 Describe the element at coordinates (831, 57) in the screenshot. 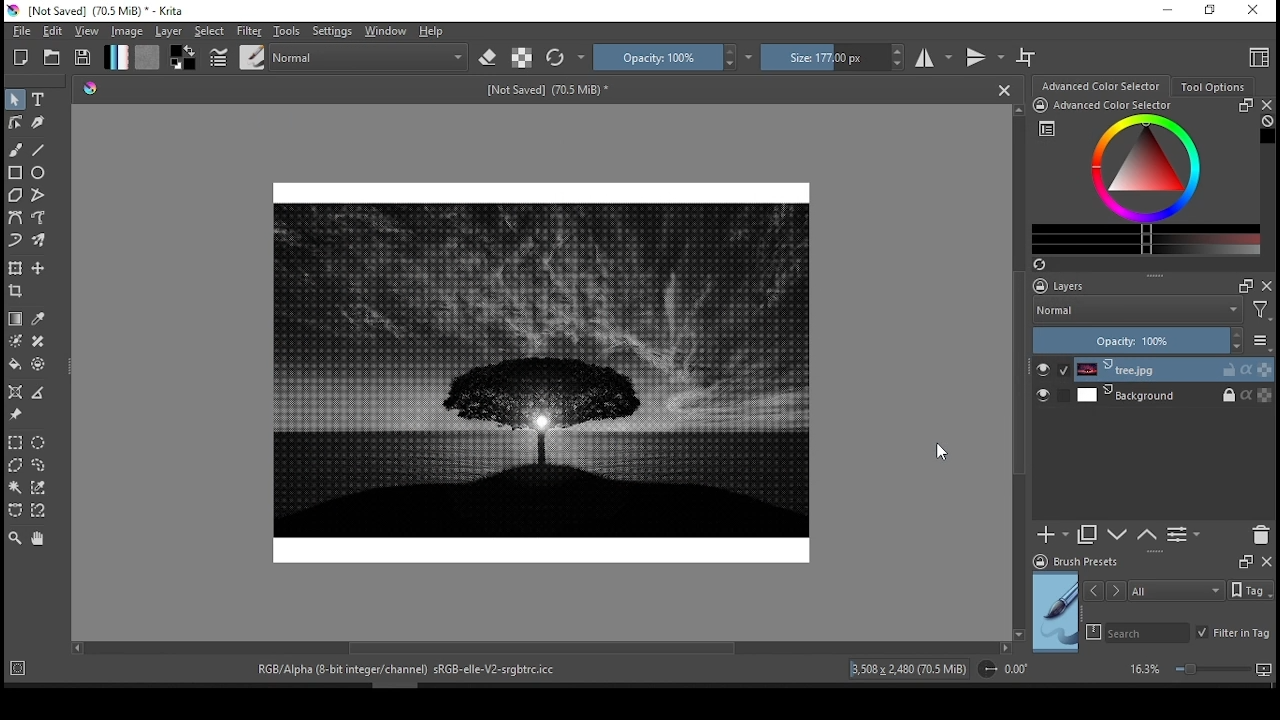

I see `size` at that location.